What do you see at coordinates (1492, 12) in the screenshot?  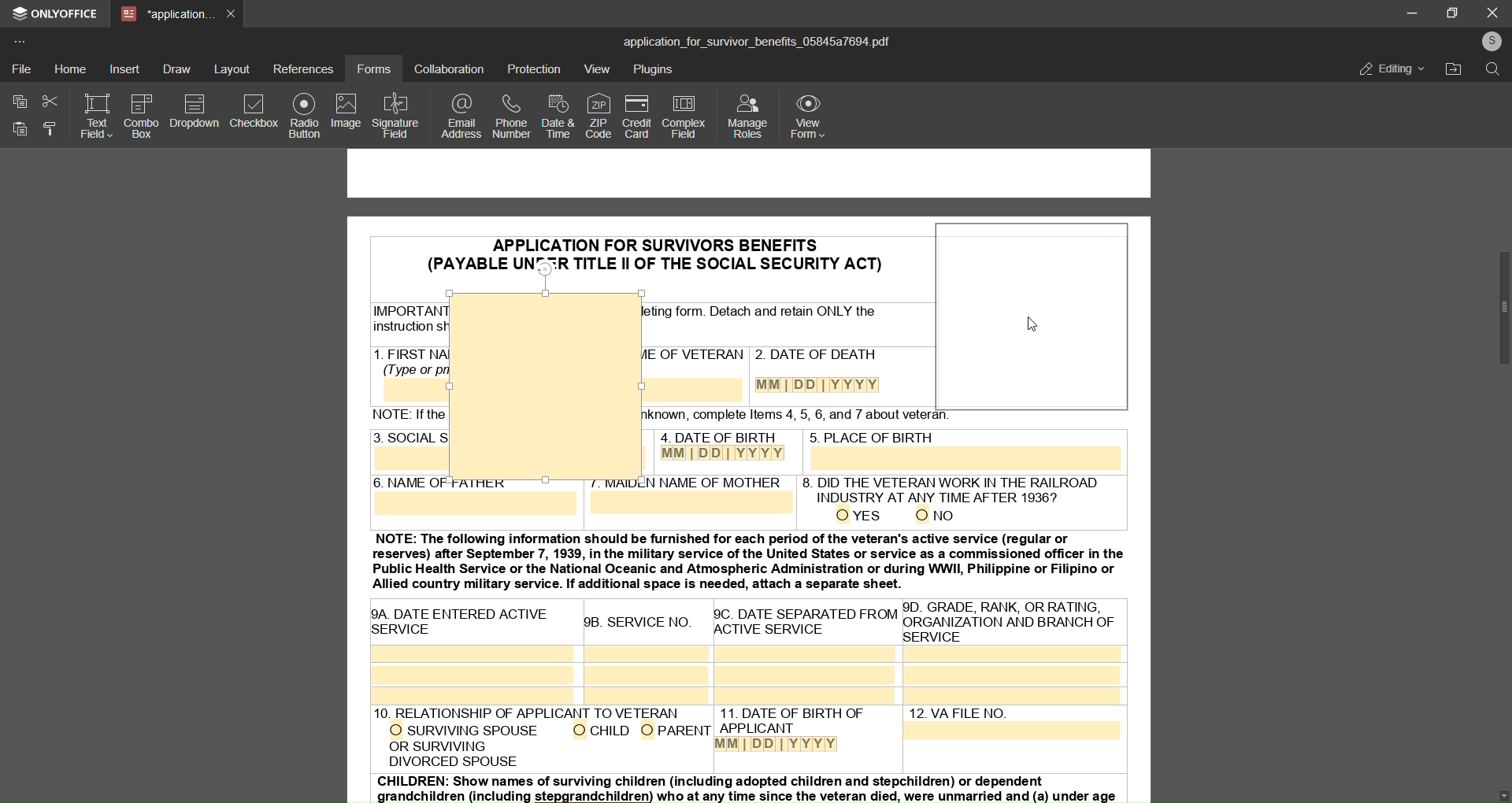 I see `close` at bounding box center [1492, 12].